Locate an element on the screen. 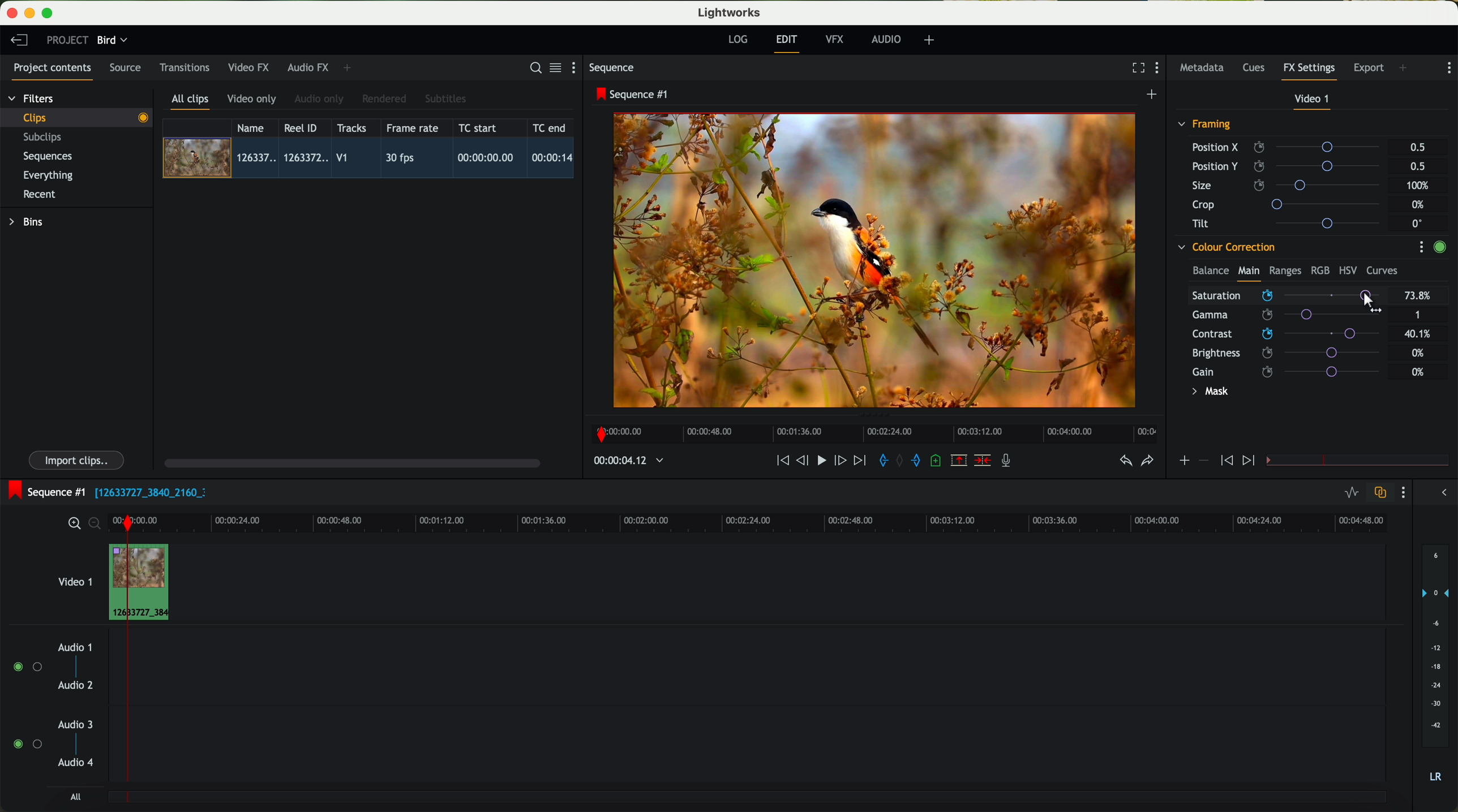  toggle auto track sync is located at coordinates (1378, 493).